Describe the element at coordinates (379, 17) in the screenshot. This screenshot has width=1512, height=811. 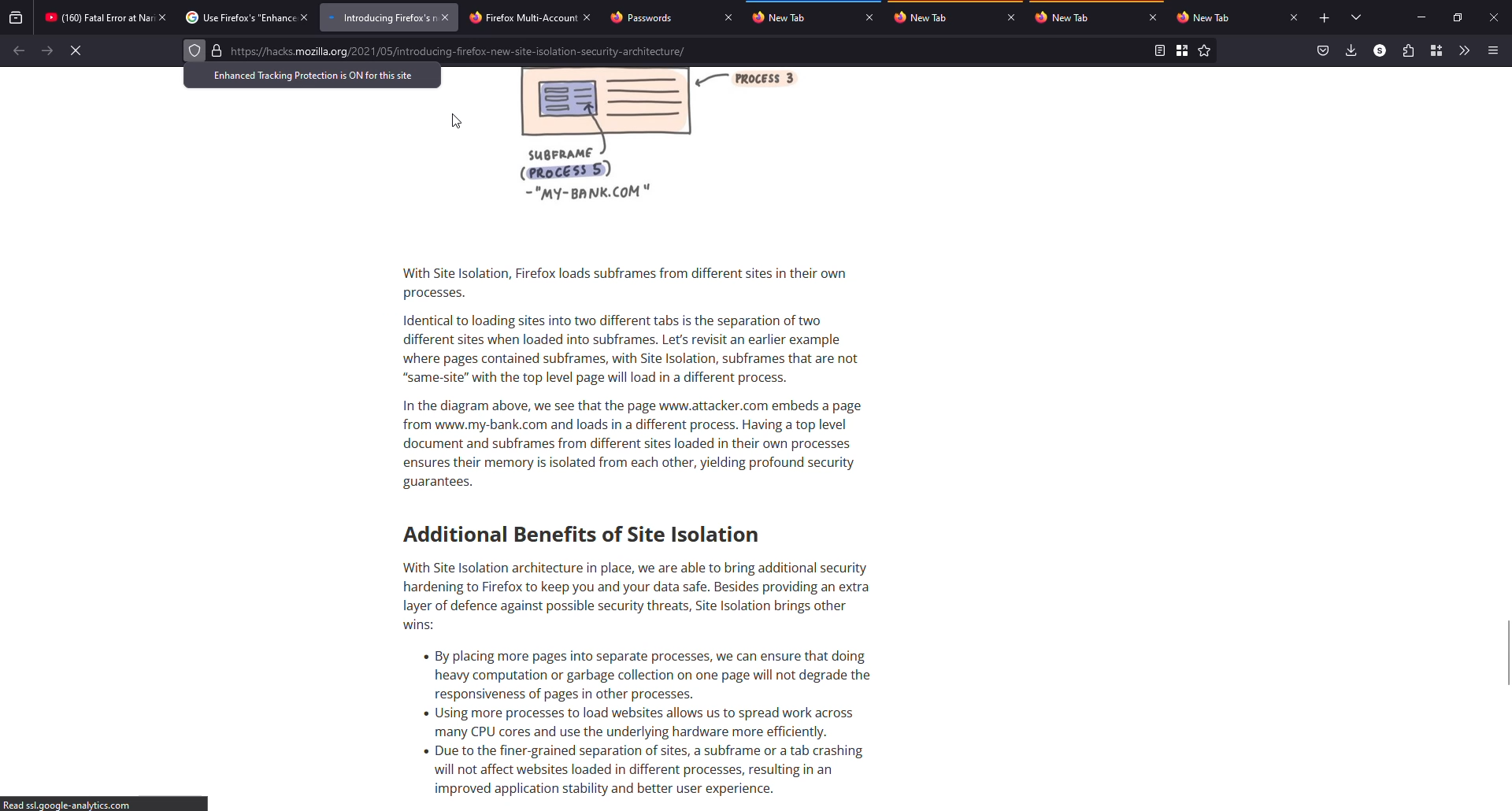
I see `tab` at that location.